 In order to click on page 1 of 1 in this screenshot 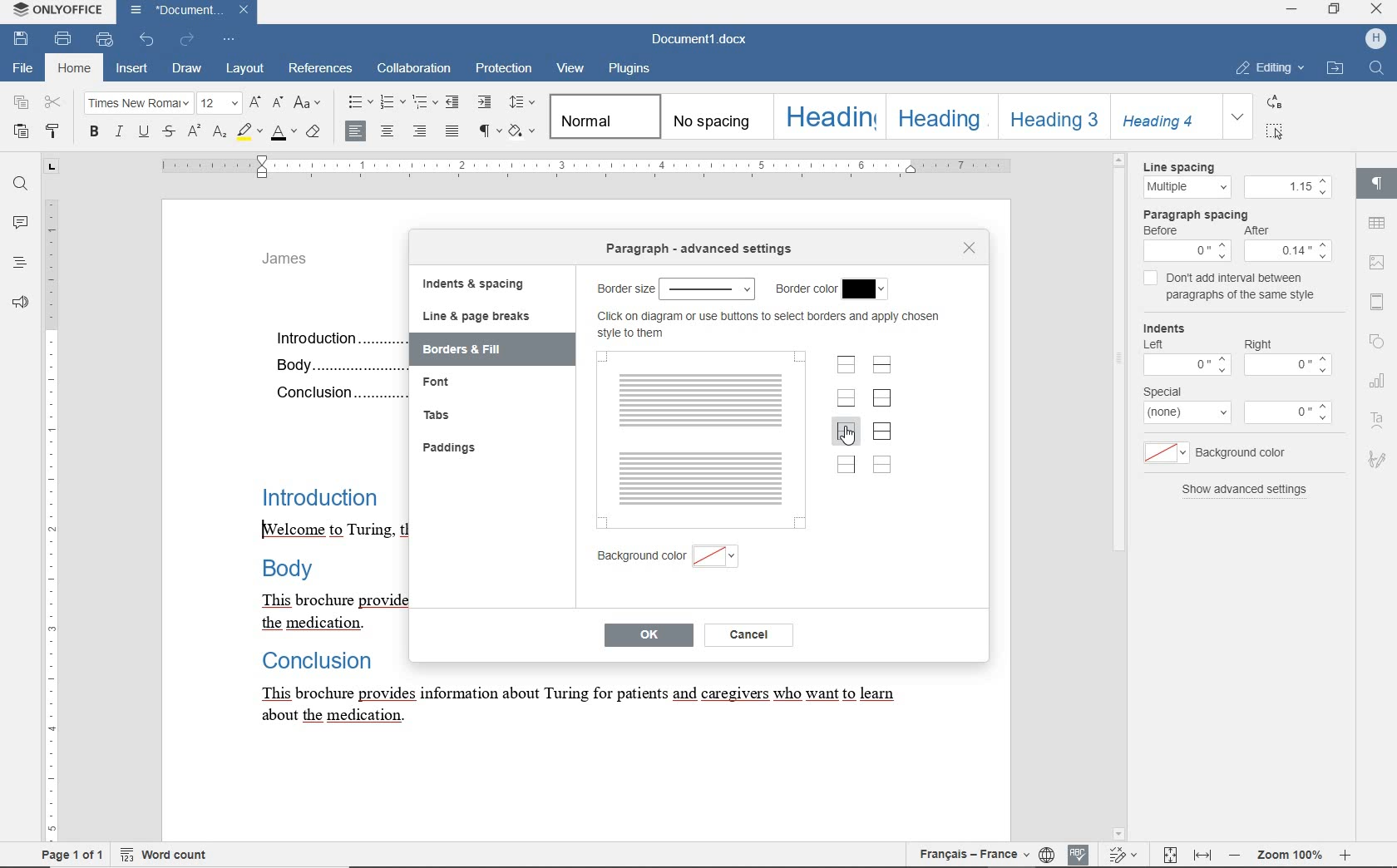, I will do `click(54, 856)`.